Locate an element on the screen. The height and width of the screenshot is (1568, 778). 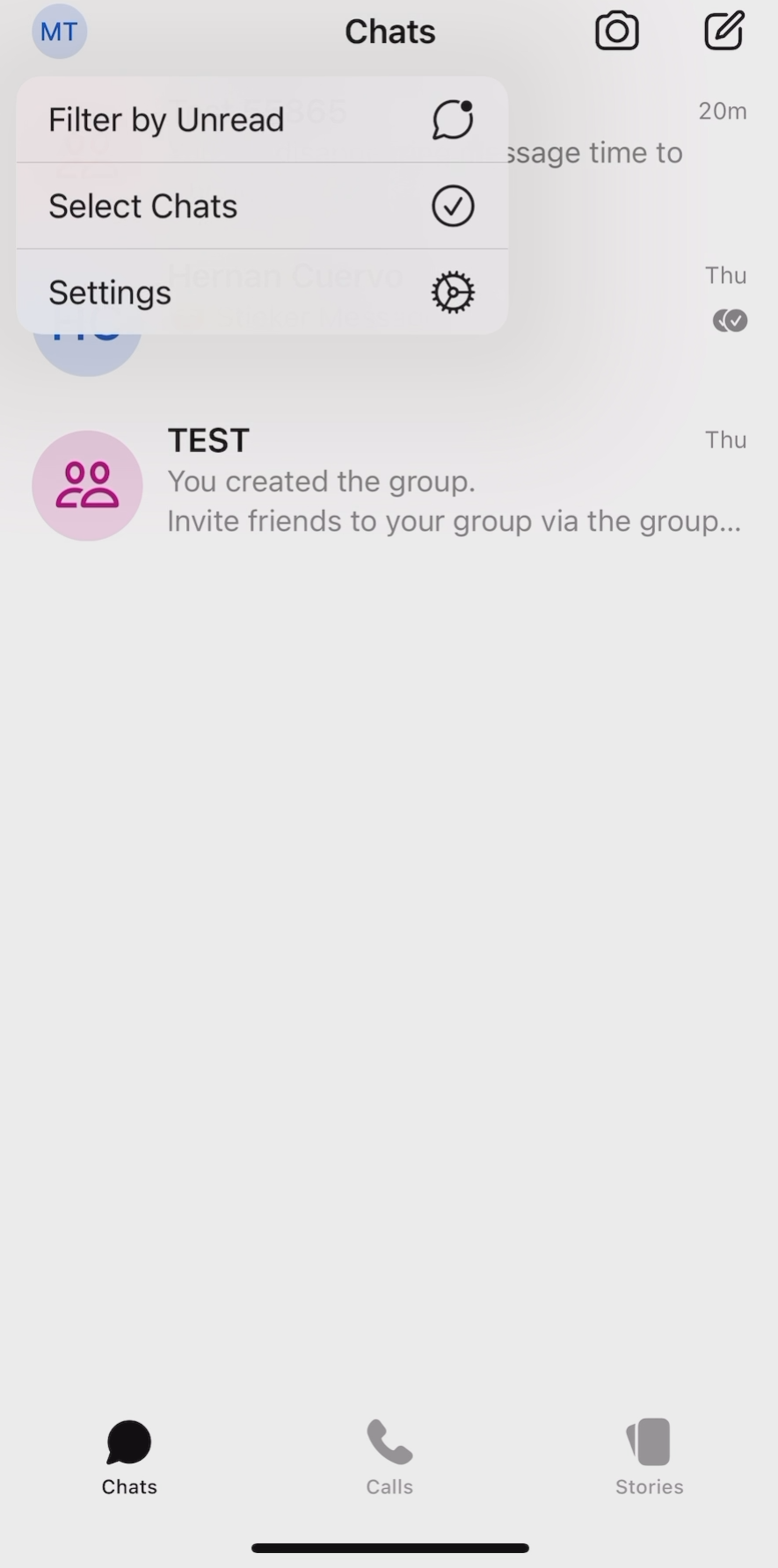
text is located at coordinates (599, 156).